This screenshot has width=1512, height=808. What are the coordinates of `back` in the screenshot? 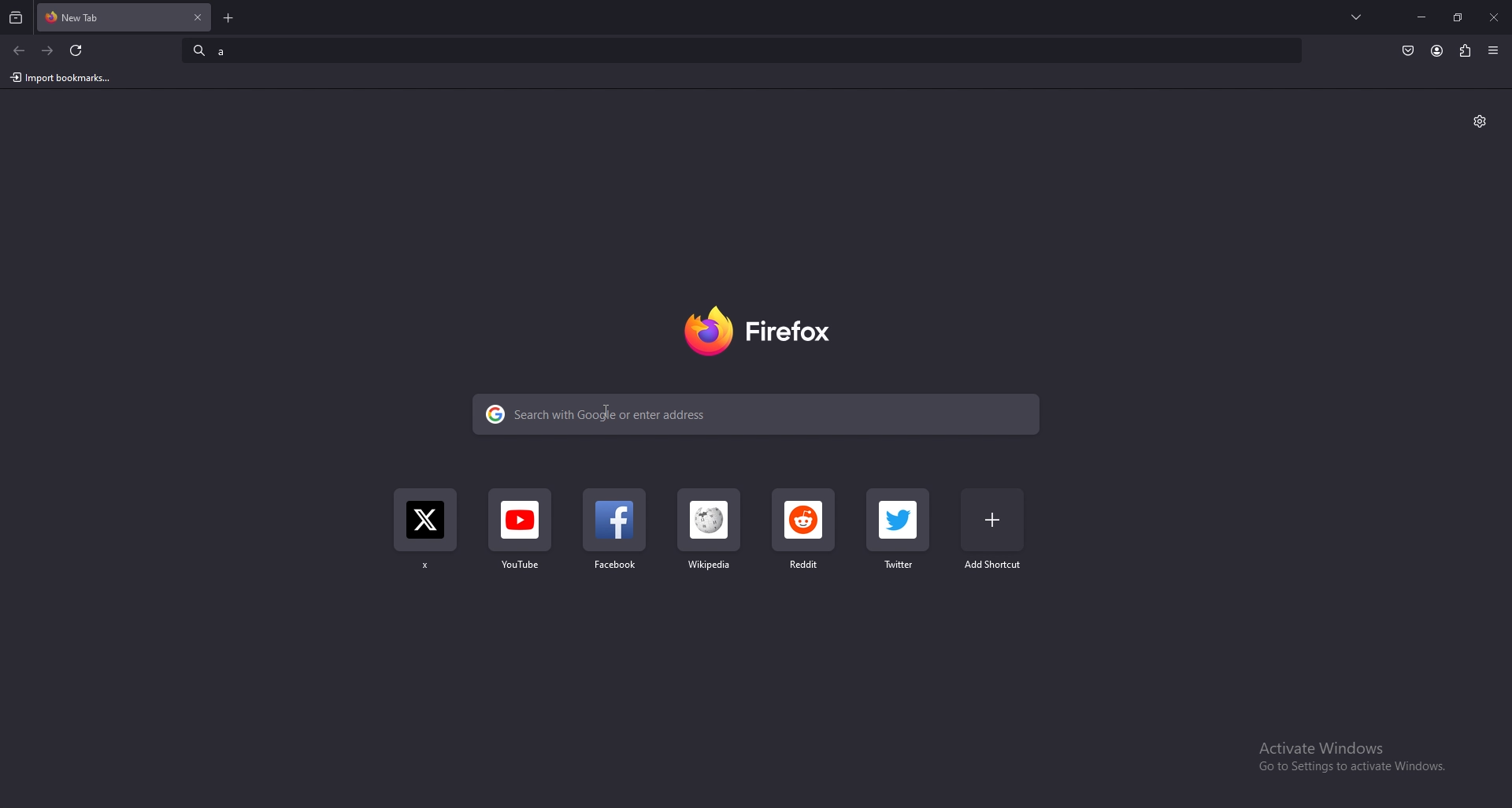 It's located at (19, 51).